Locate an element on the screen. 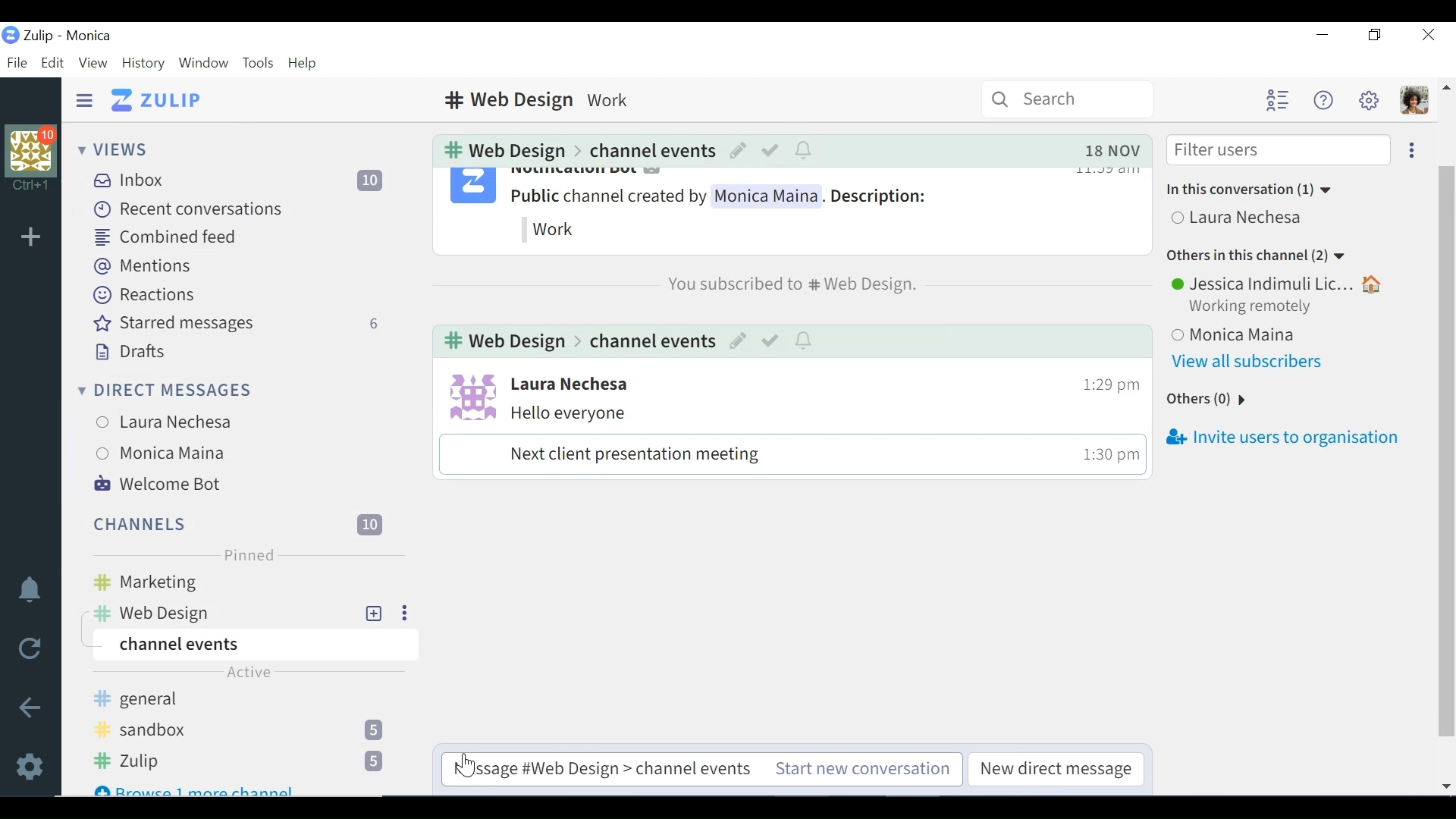 The height and width of the screenshot is (819, 1456). Views menu is located at coordinates (116, 149).